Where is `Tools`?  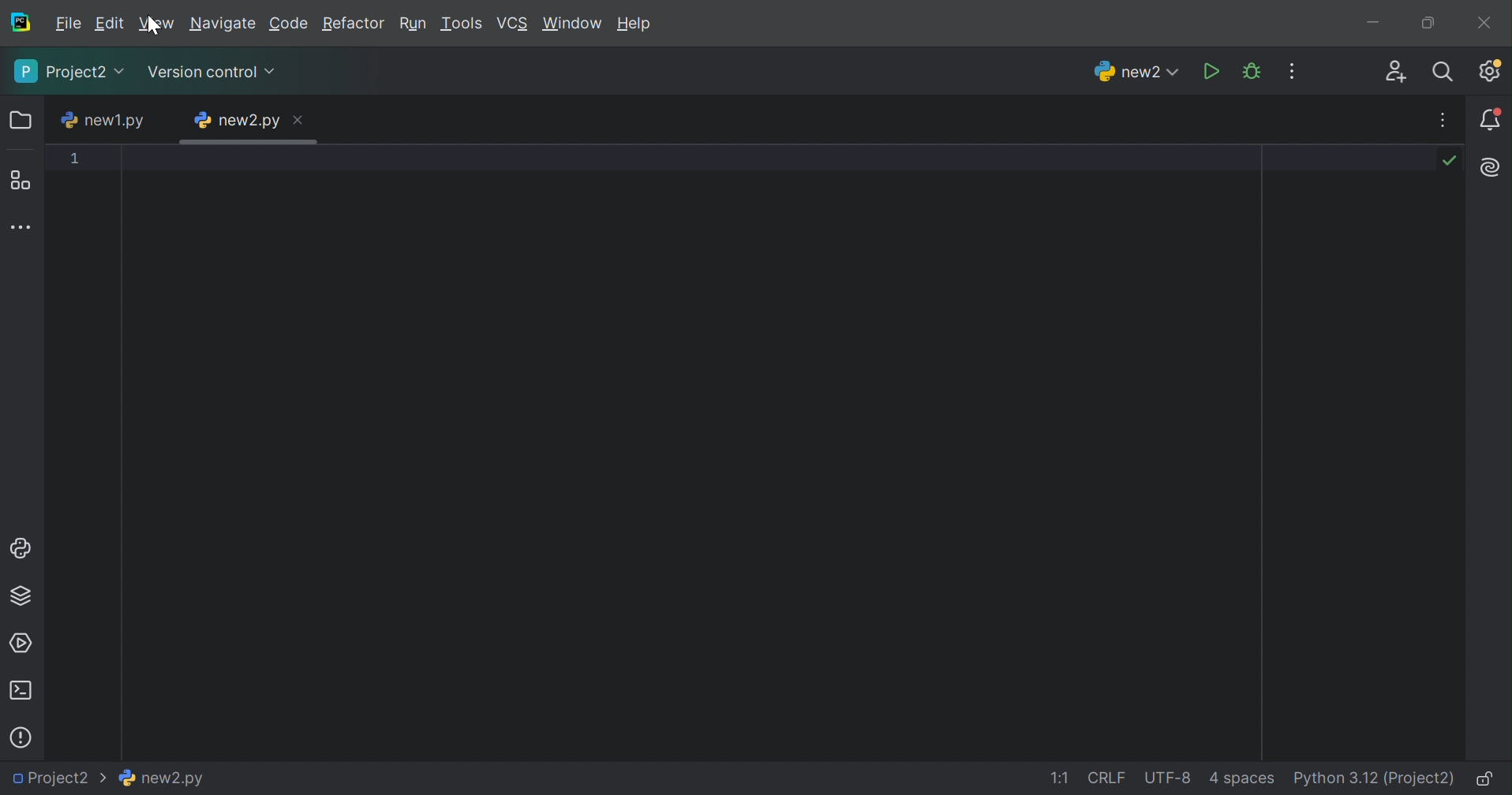 Tools is located at coordinates (462, 24).